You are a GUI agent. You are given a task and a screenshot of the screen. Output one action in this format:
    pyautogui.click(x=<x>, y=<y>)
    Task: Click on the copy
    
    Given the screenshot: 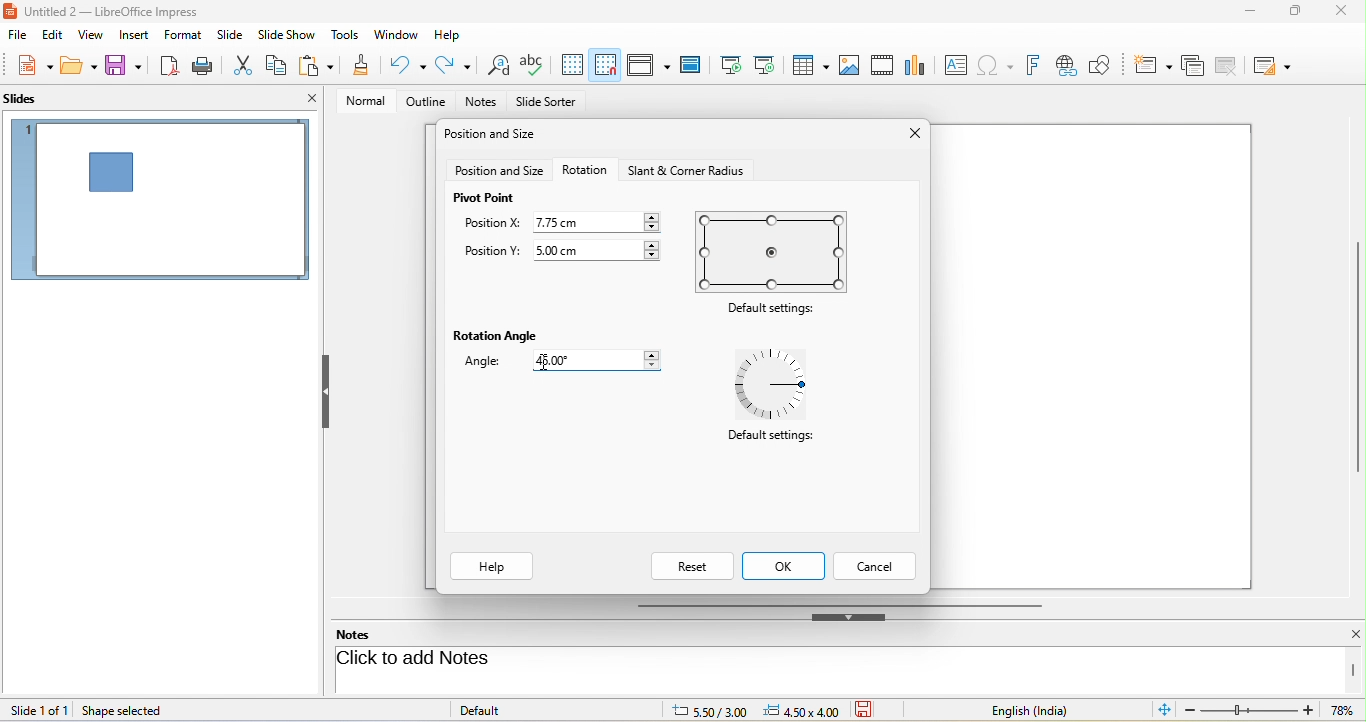 What is the action you would take?
    pyautogui.click(x=278, y=63)
    